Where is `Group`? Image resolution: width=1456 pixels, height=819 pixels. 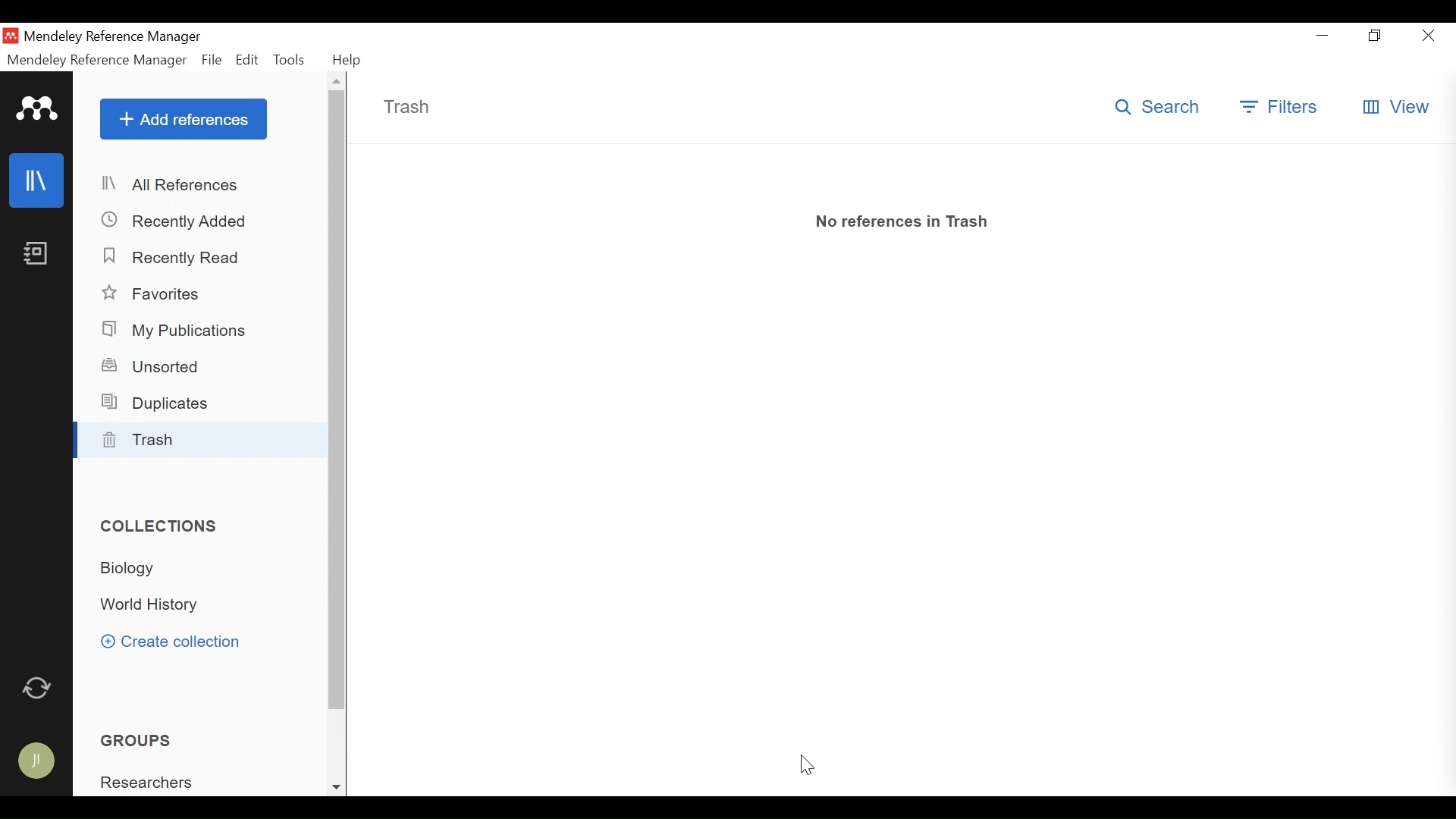 Group is located at coordinates (147, 739).